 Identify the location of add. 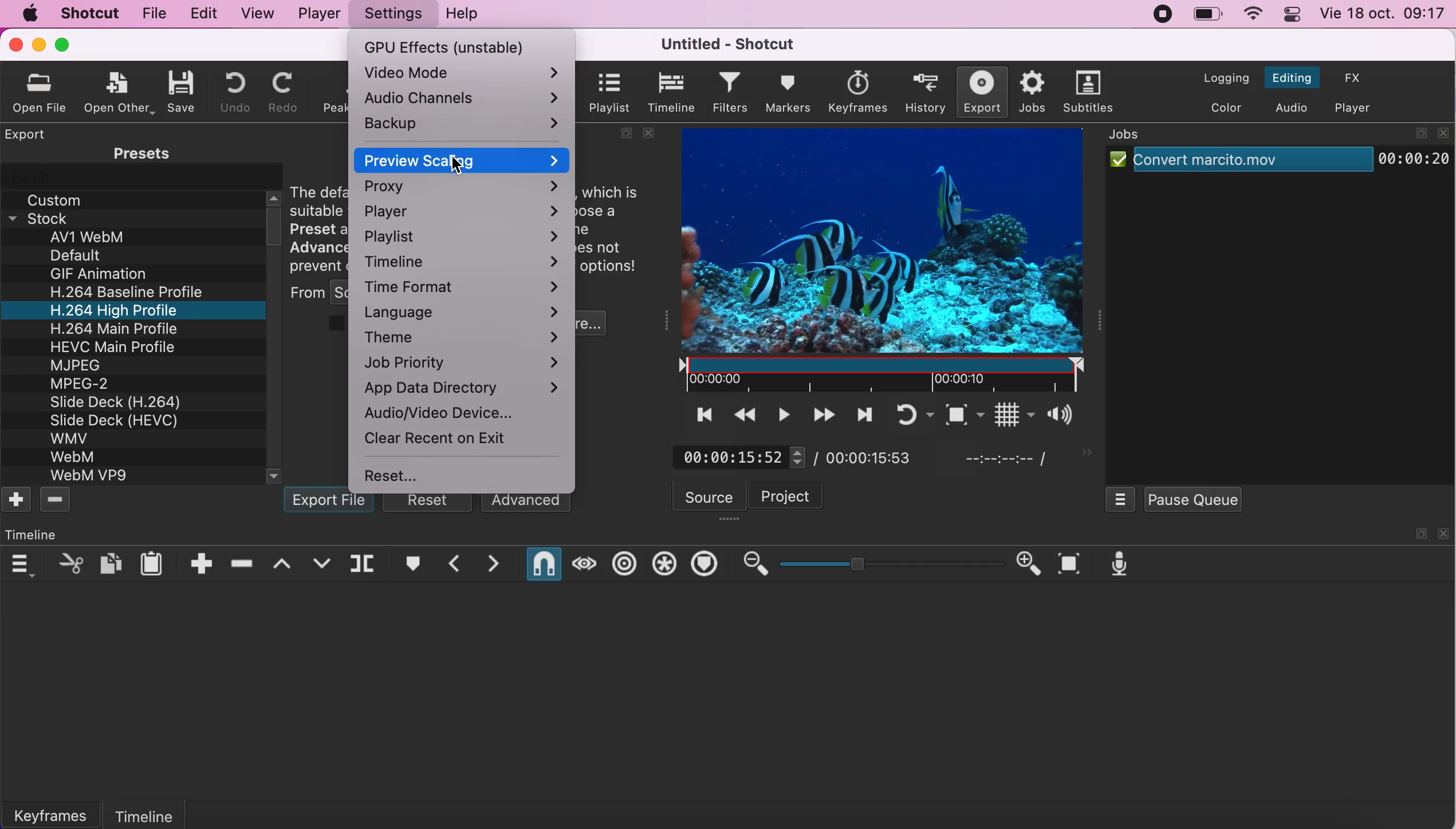
(17, 502).